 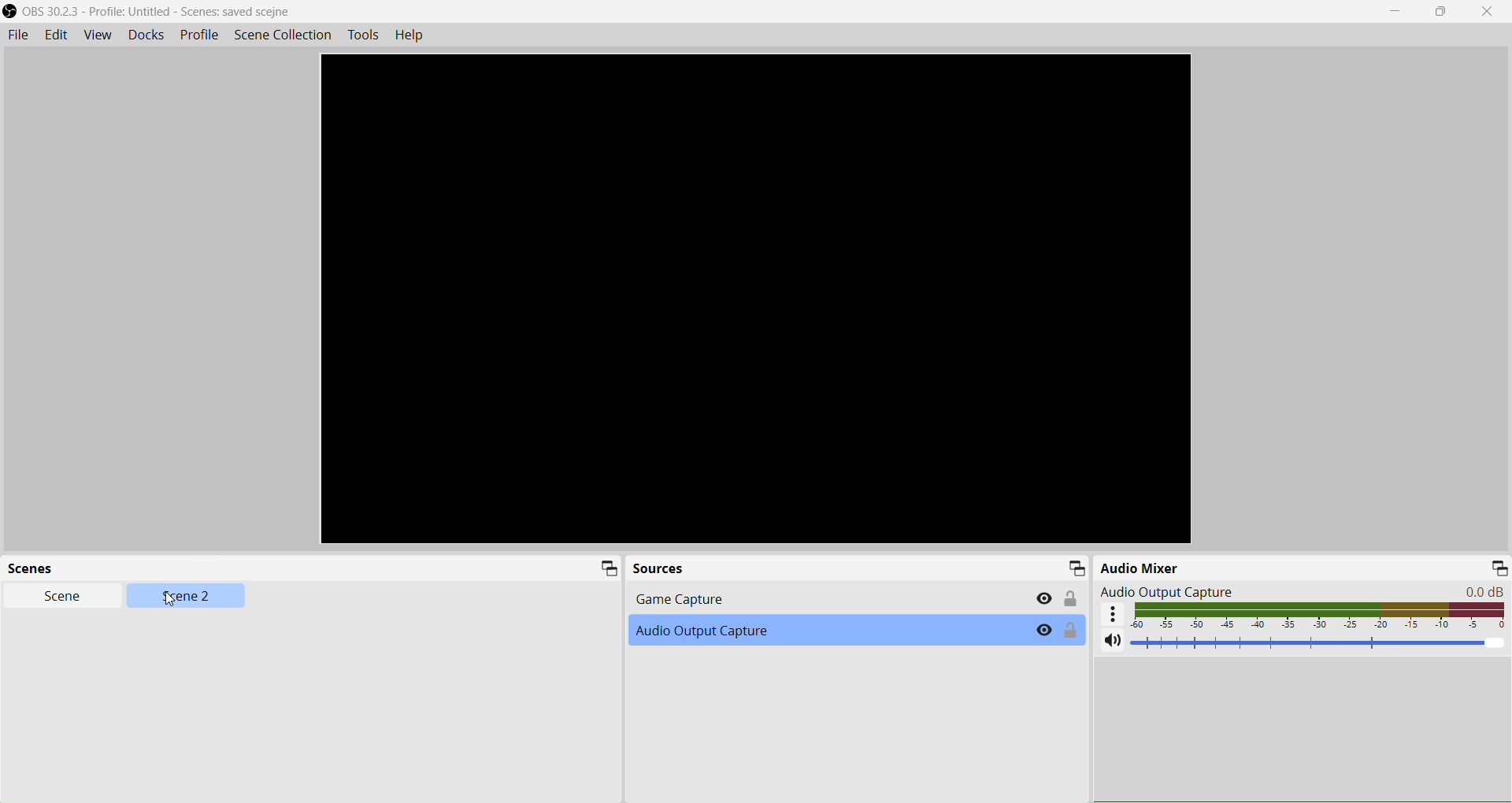 What do you see at coordinates (1070, 598) in the screenshot?
I see `Lock` at bounding box center [1070, 598].